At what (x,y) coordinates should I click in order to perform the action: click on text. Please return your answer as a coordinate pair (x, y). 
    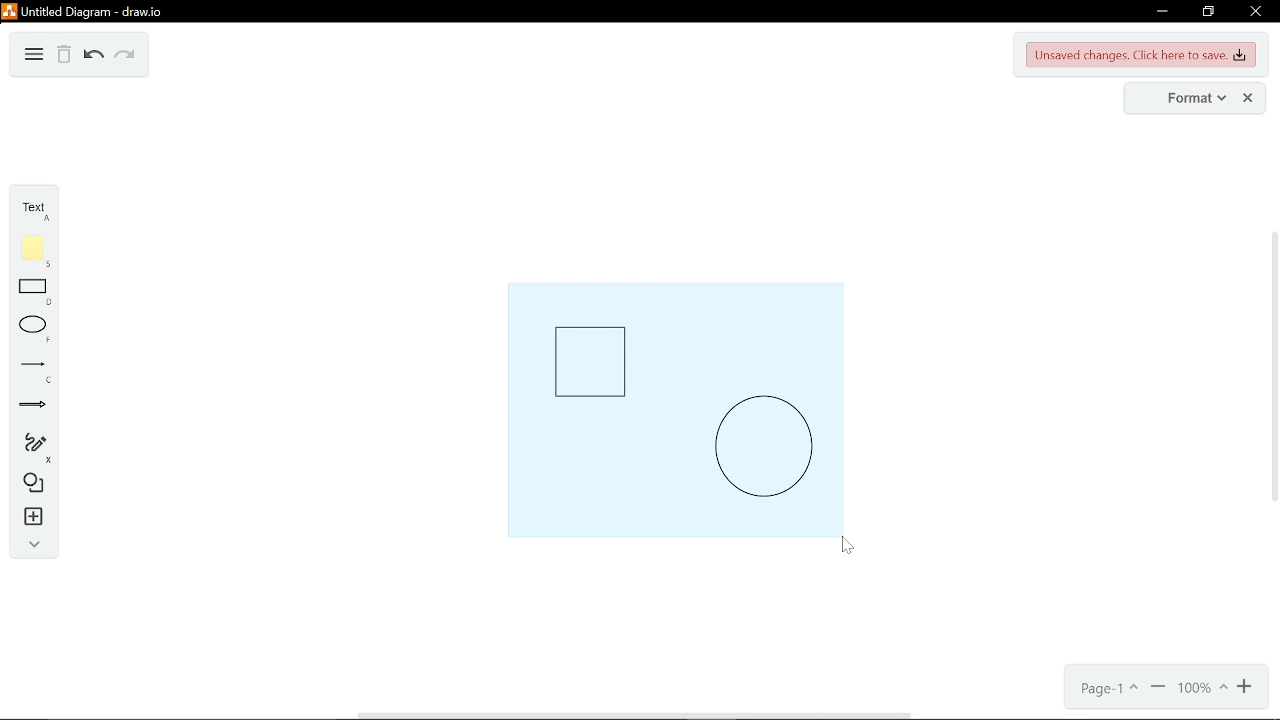
    Looking at the image, I should click on (30, 211).